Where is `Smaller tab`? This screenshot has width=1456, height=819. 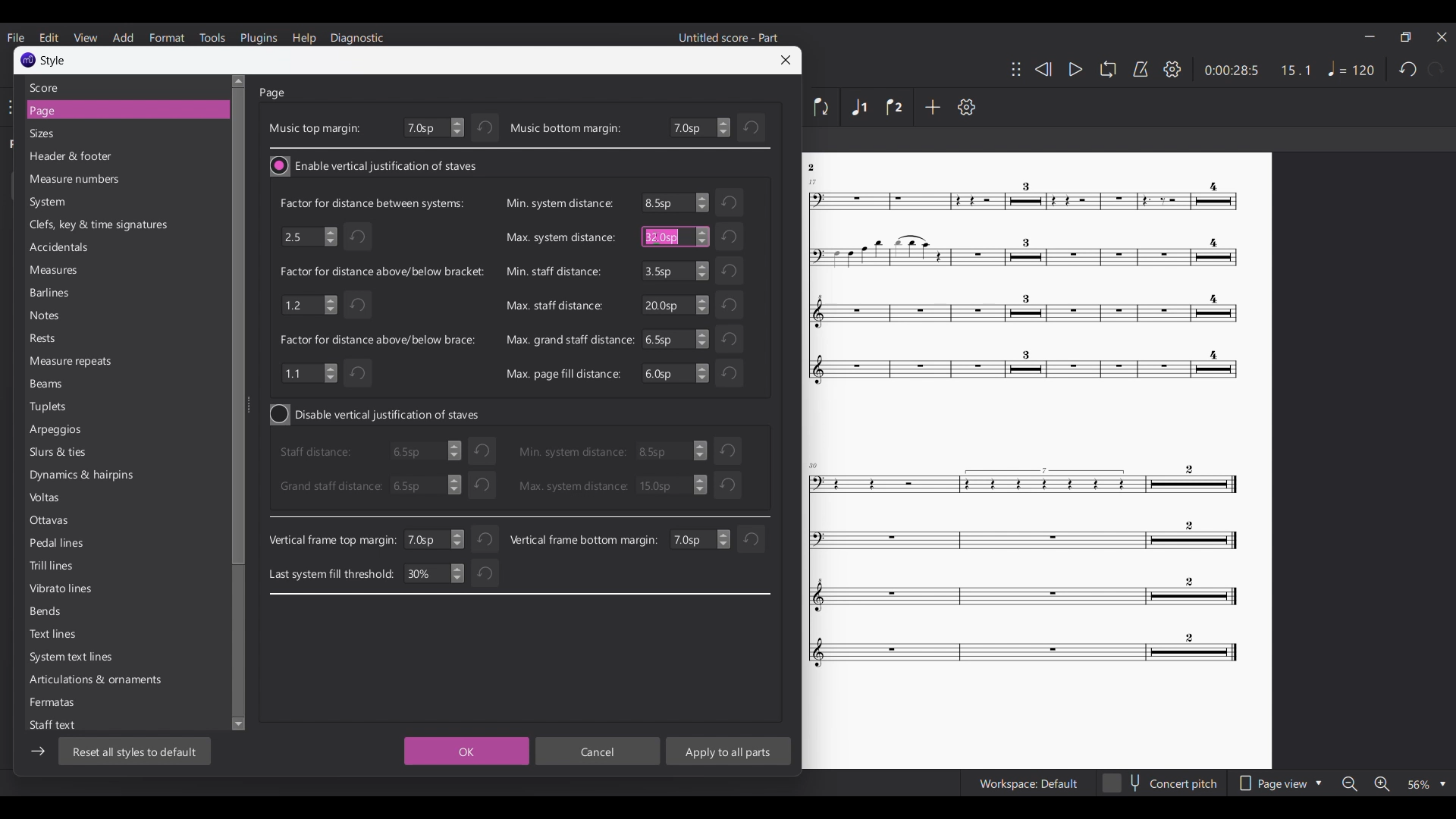 Smaller tab is located at coordinates (1405, 37).